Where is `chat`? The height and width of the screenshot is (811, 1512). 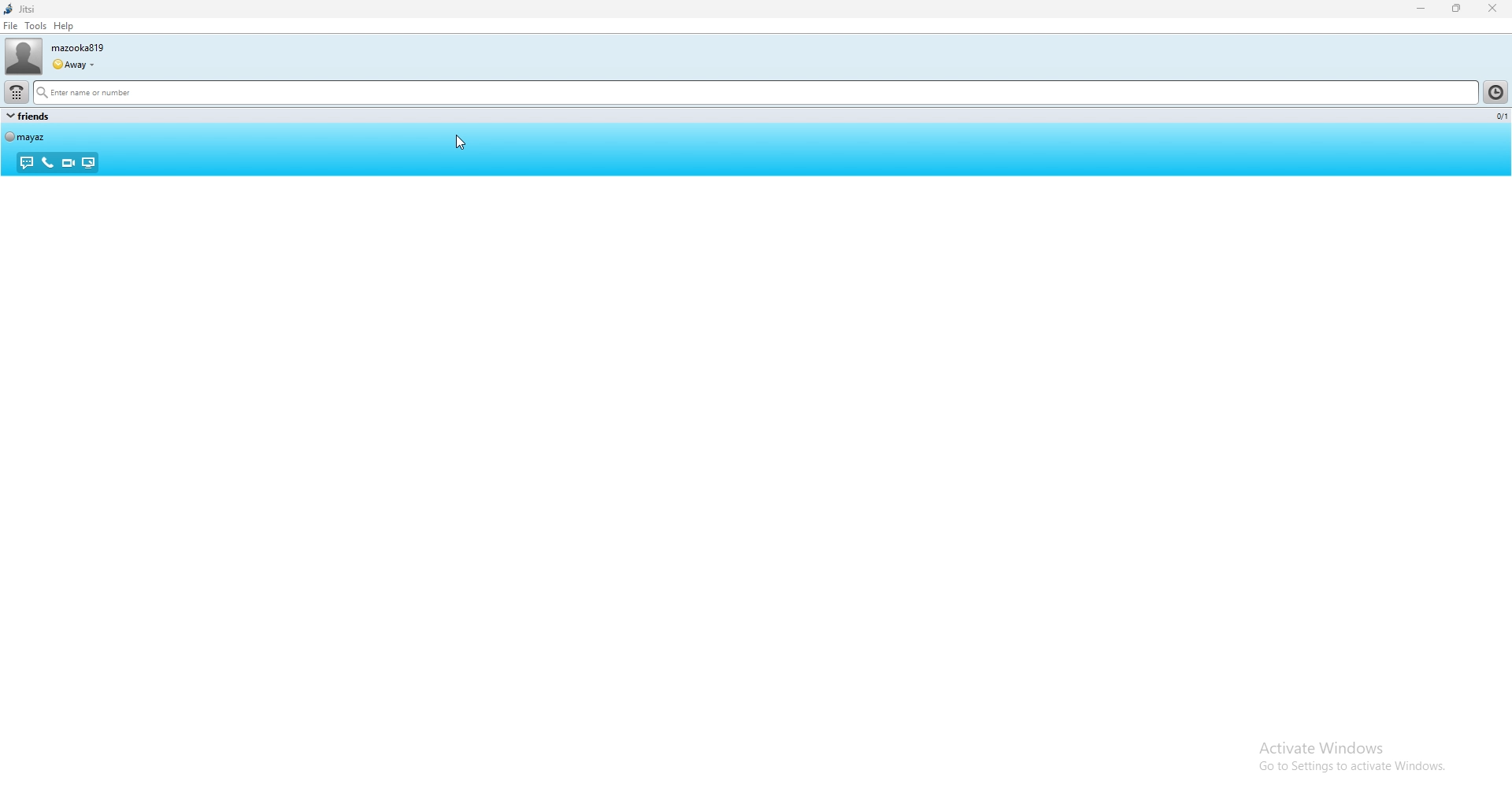
chat is located at coordinates (28, 163).